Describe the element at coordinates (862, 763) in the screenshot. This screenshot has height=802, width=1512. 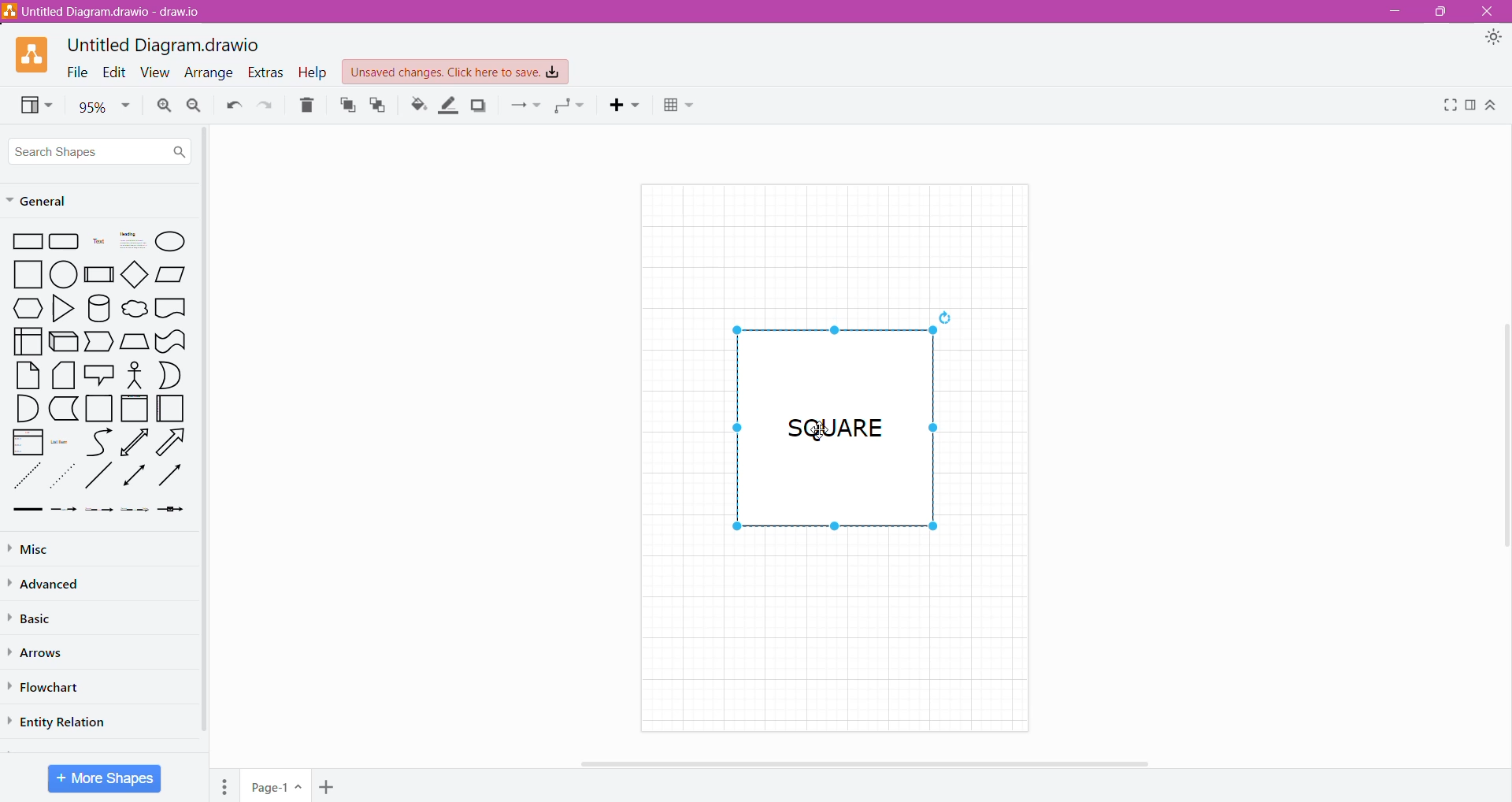
I see `Horizontal Scroll Bar` at that location.